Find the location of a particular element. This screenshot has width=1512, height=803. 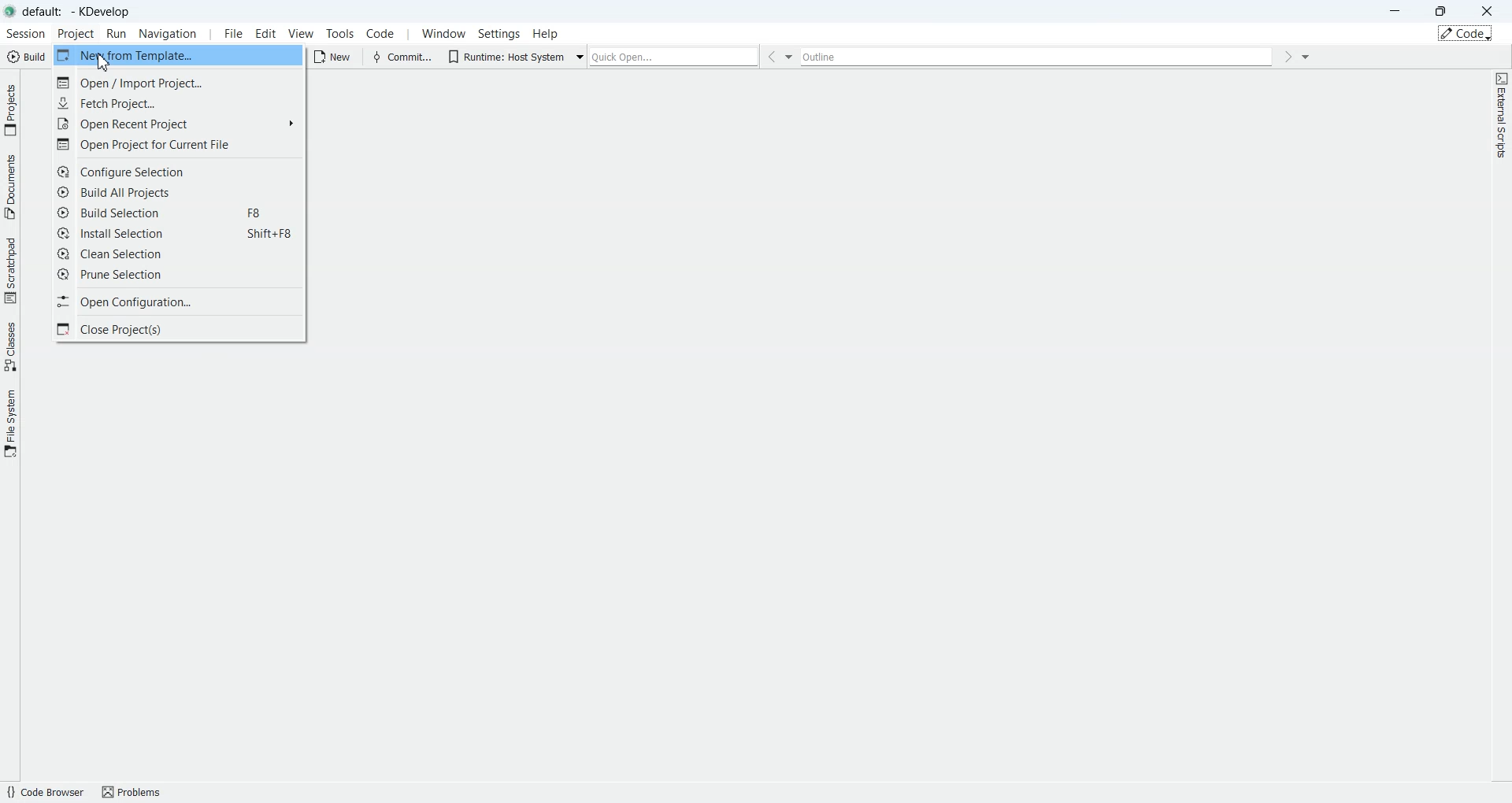

Commit is located at coordinates (401, 56).